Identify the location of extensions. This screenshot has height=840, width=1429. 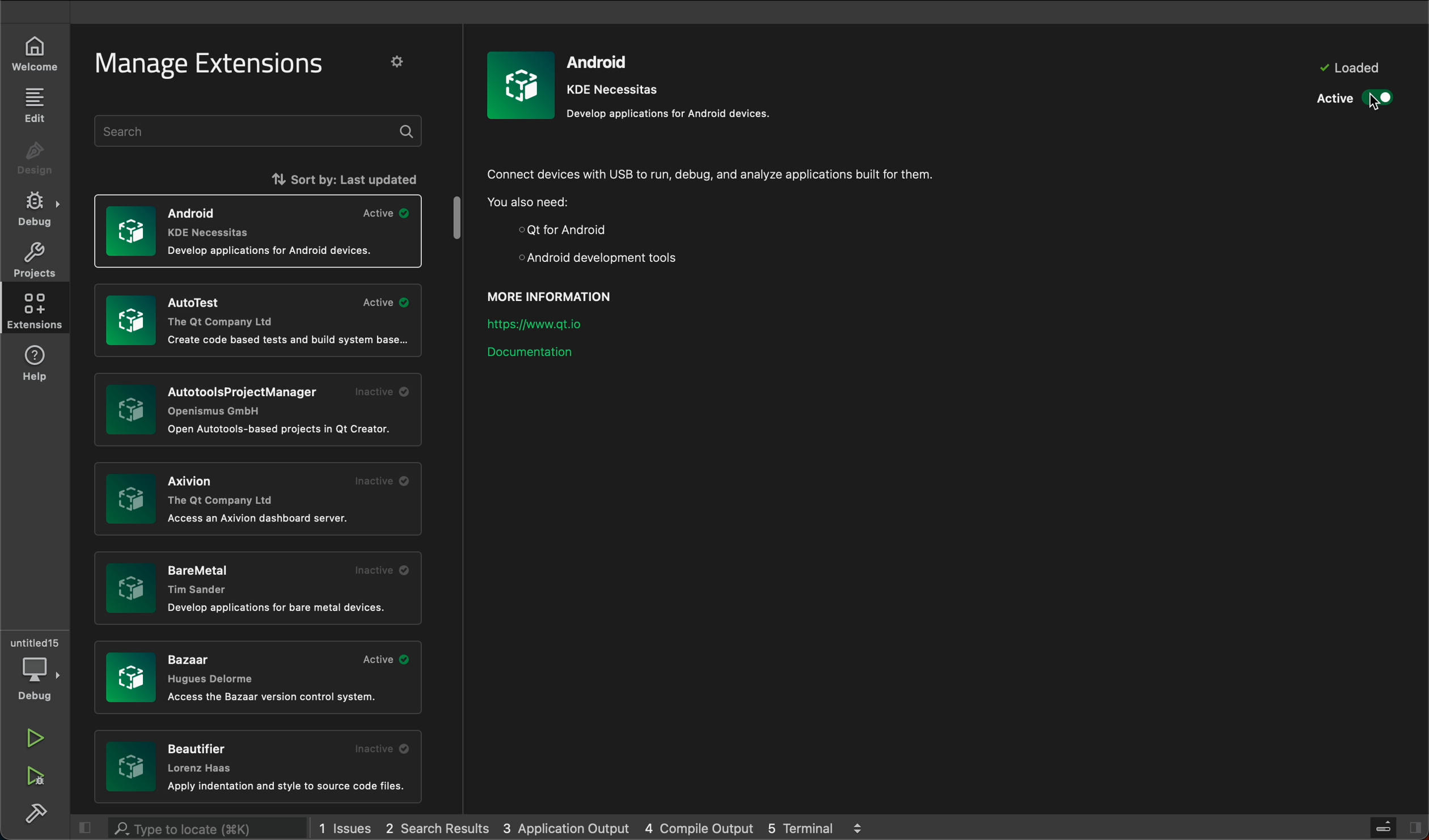
(35, 311).